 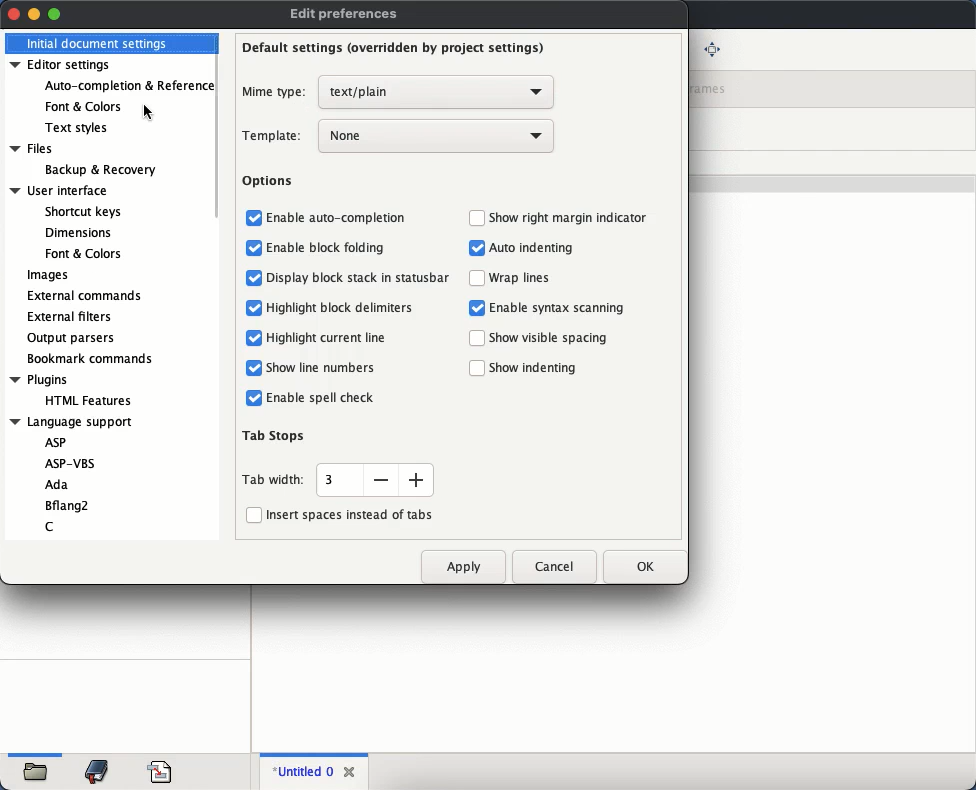 I want to click on scroll, so click(x=218, y=125).